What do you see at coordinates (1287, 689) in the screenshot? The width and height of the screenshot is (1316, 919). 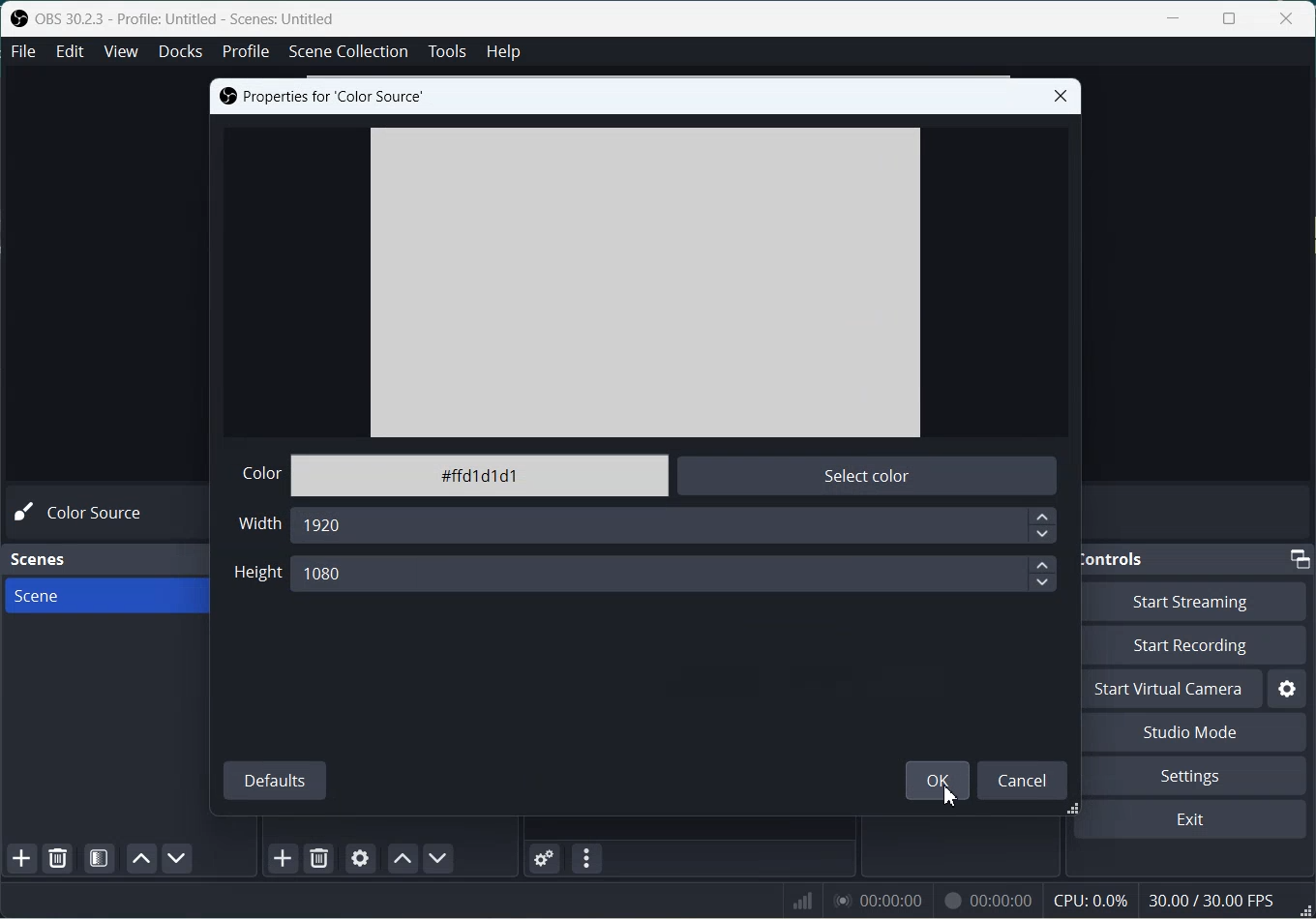 I see `Settings` at bounding box center [1287, 689].